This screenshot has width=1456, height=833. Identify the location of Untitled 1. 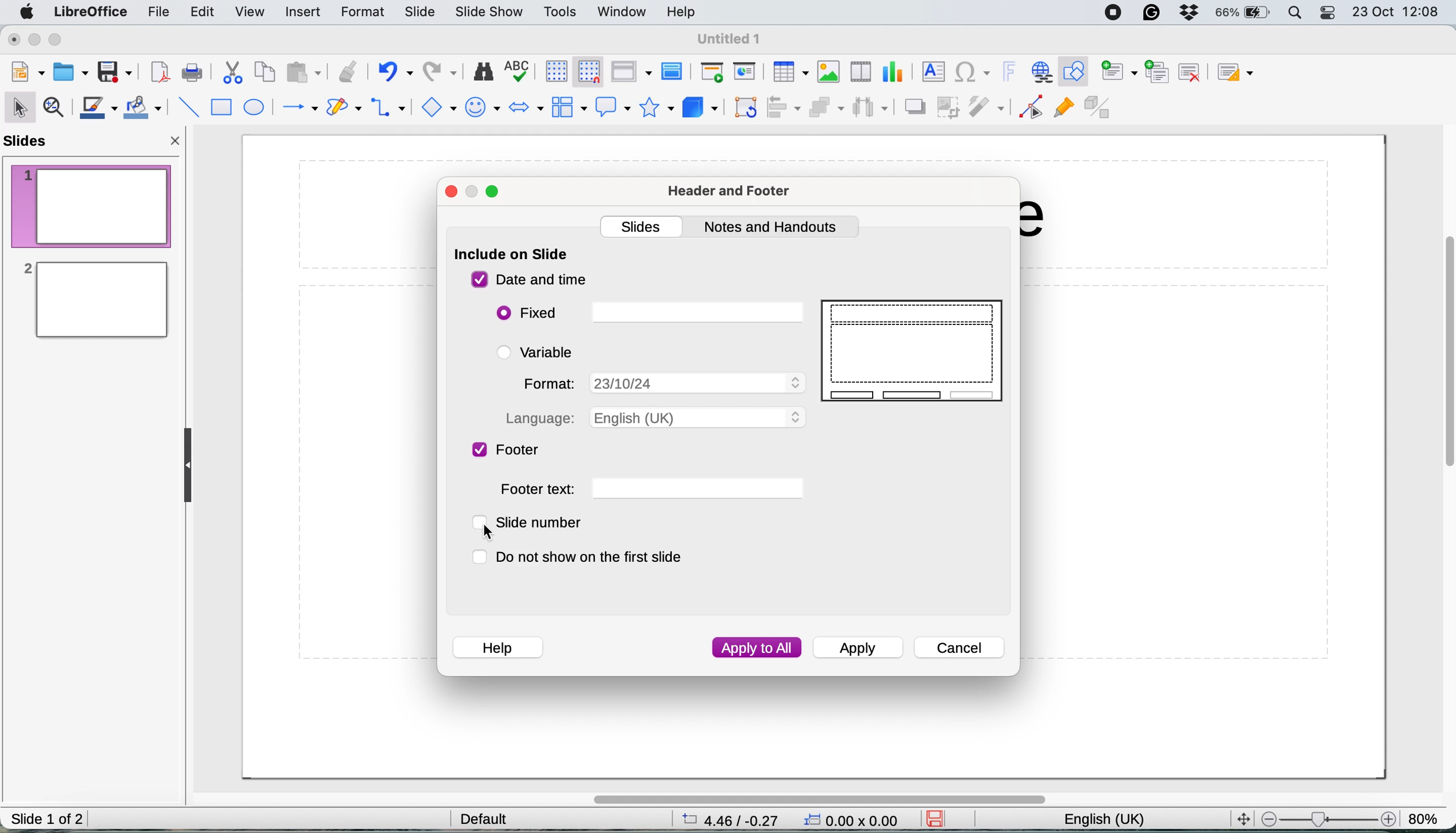
(730, 39).